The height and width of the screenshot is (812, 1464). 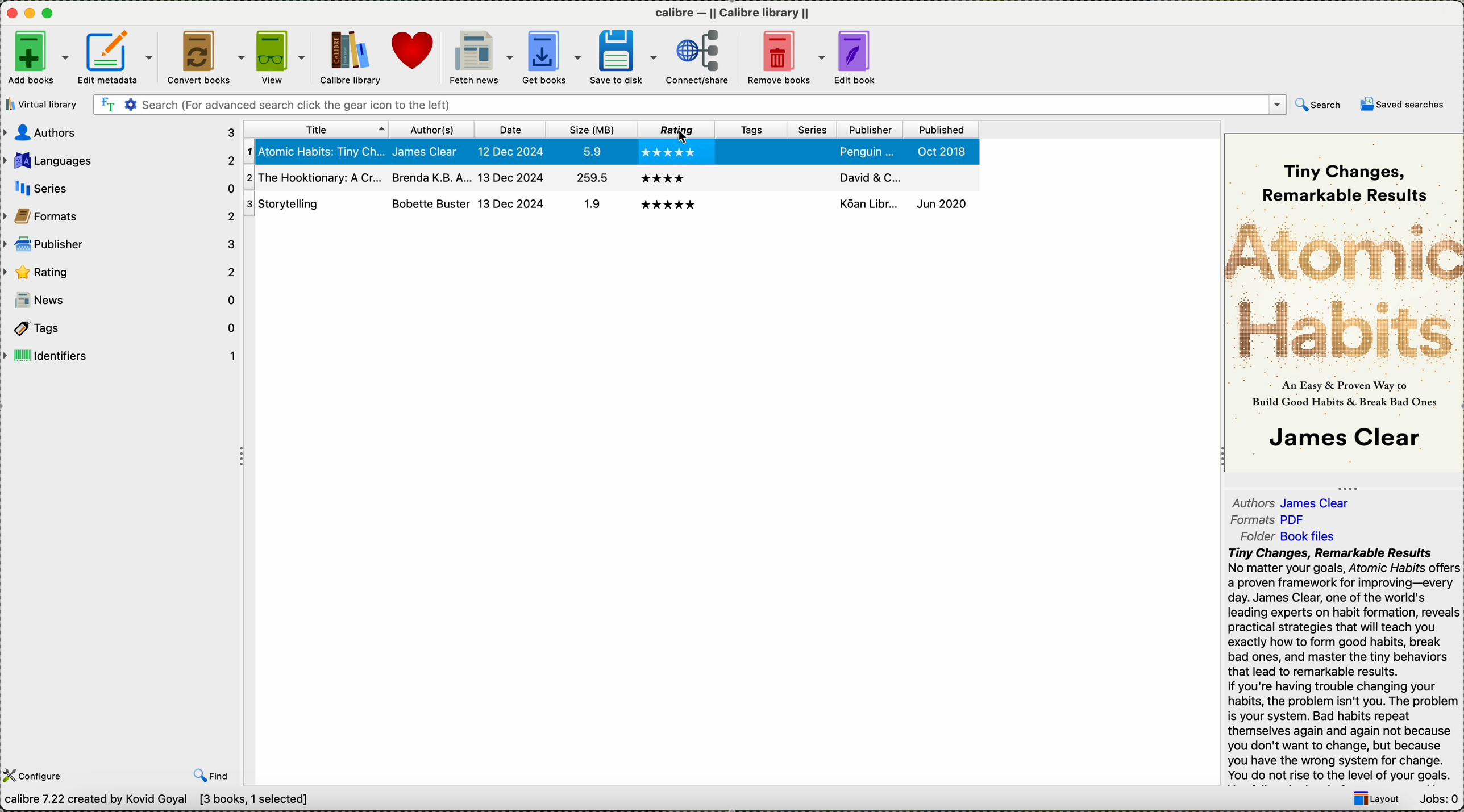 I want to click on 5 star, so click(x=669, y=205).